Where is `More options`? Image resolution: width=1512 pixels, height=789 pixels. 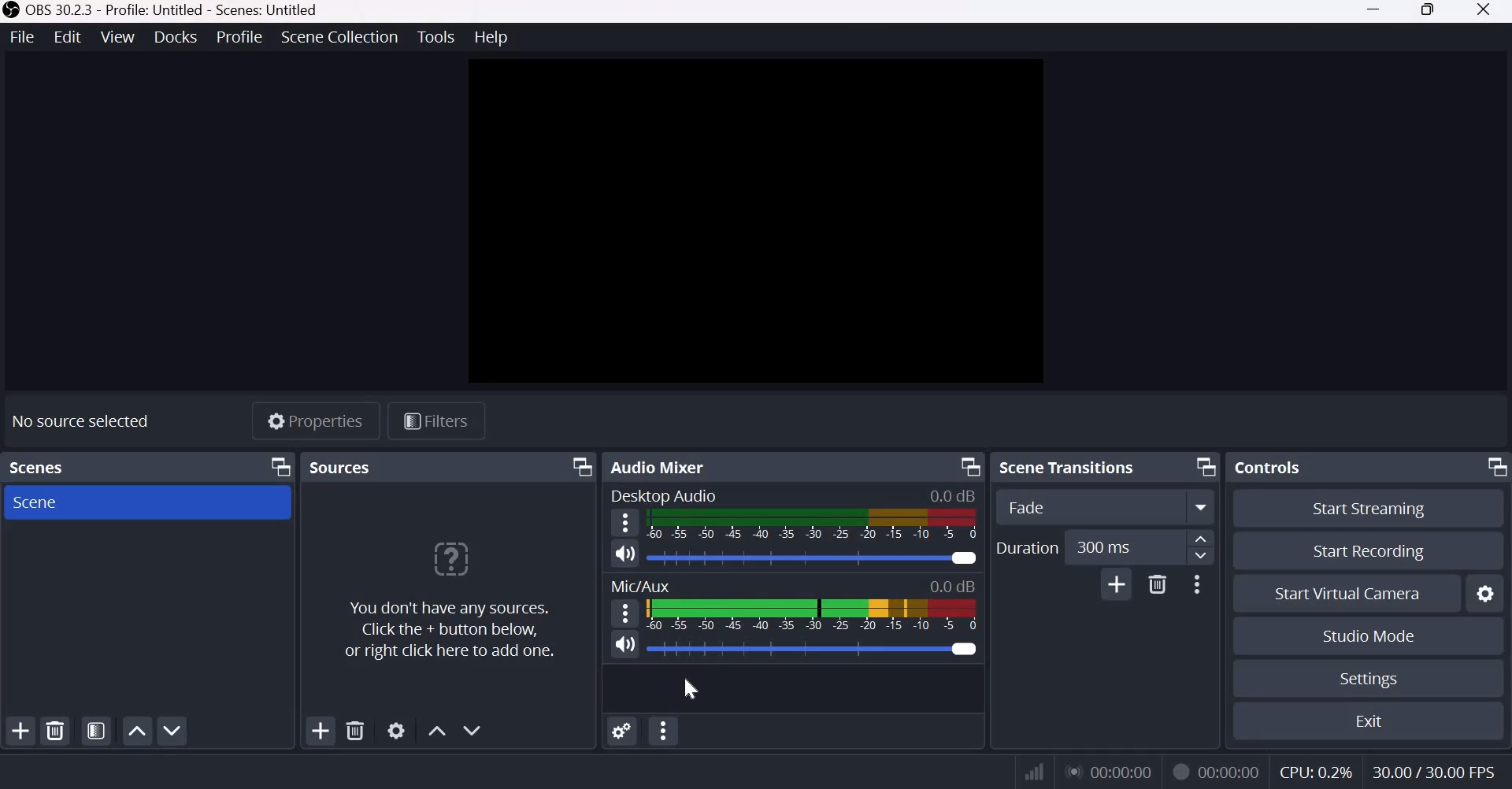 More options is located at coordinates (1196, 584).